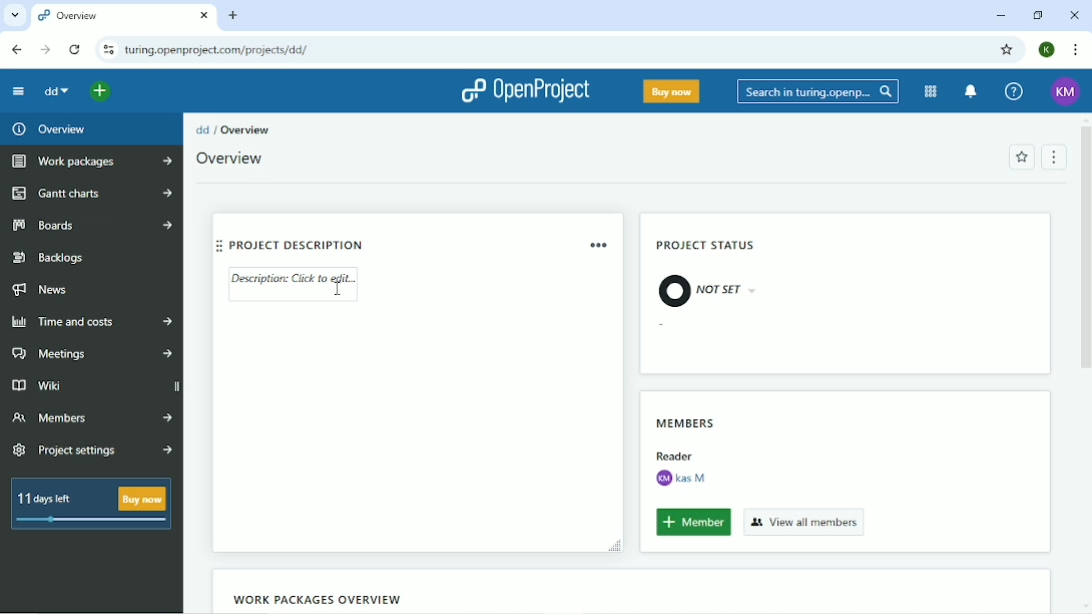  I want to click on dd, so click(202, 129).